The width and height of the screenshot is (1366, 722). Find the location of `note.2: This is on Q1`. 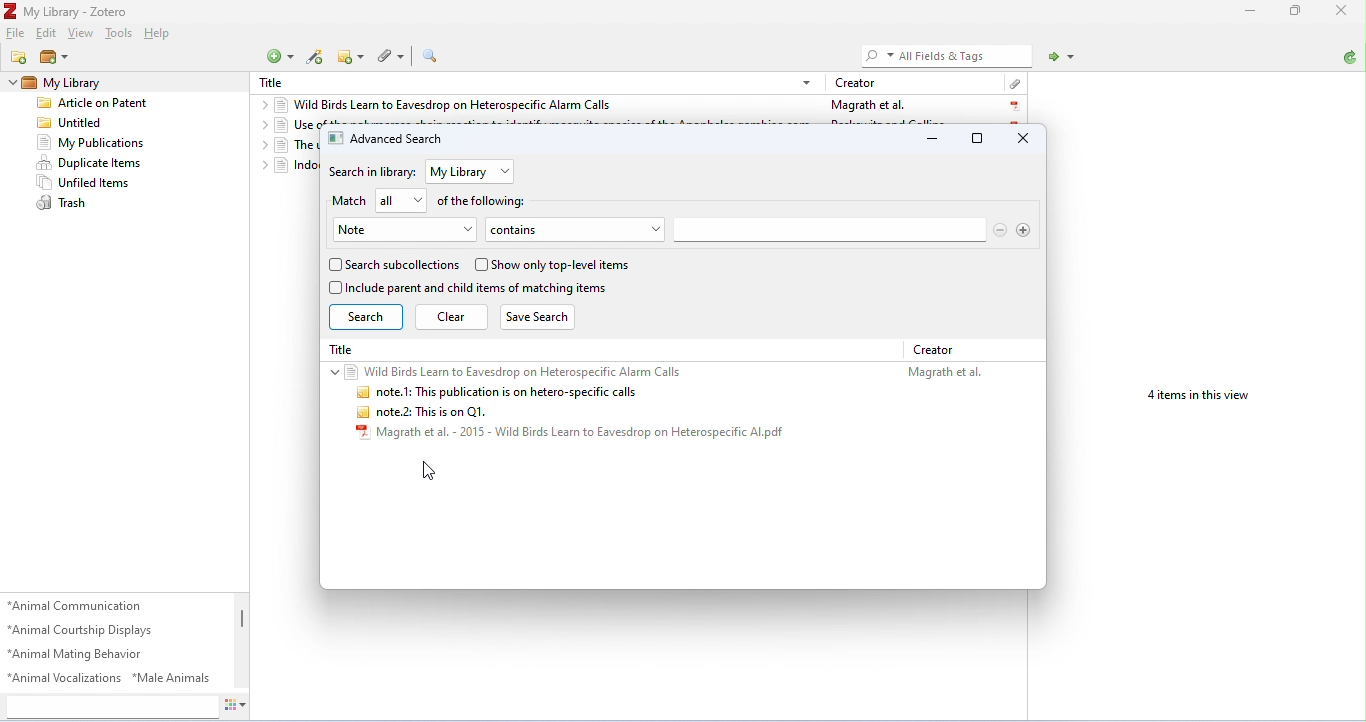

note.2: This is on Q1 is located at coordinates (436, 413).